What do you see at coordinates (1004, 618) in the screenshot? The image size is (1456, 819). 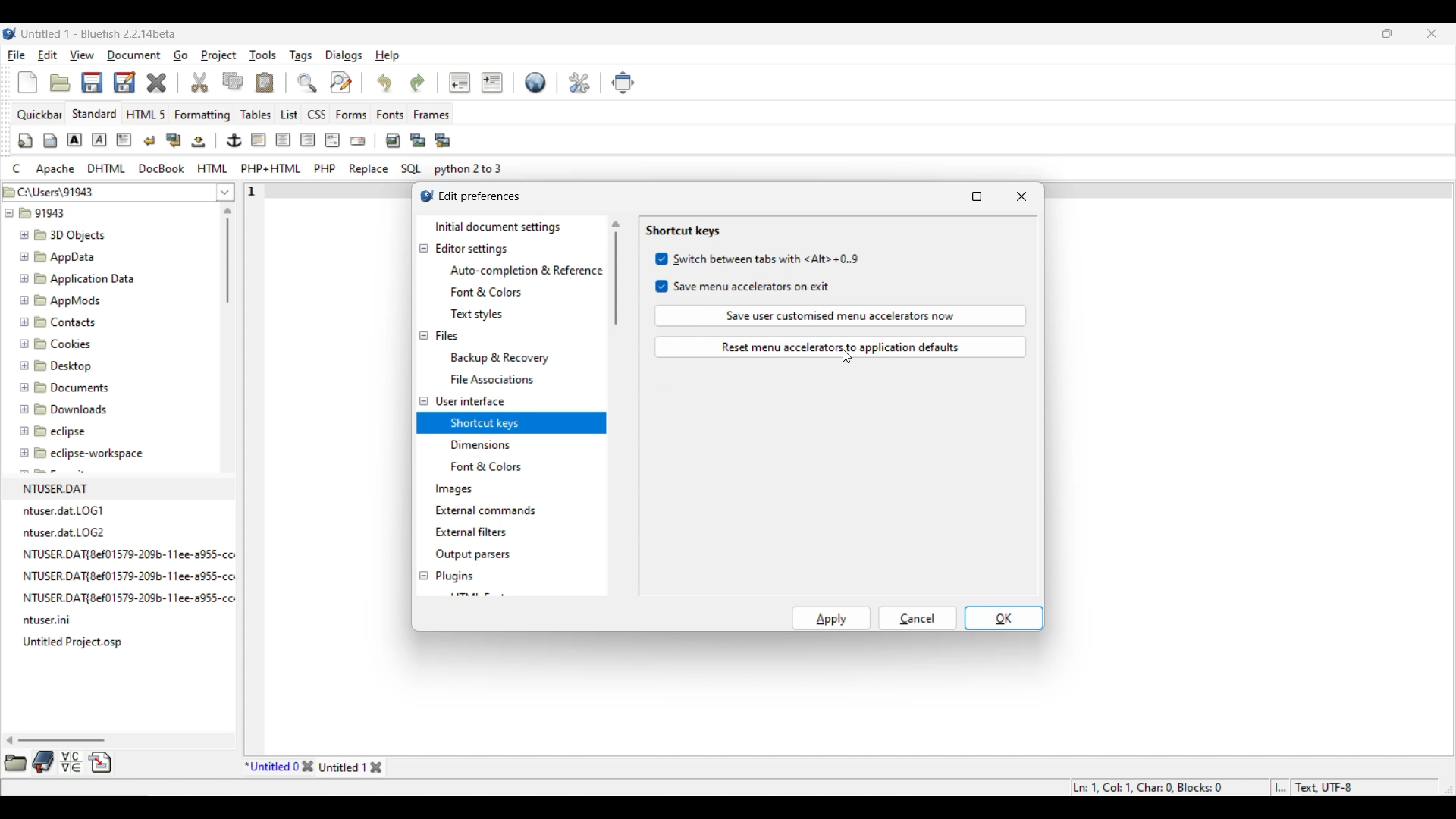 I see `OK` at bounding box center [1004, 618].